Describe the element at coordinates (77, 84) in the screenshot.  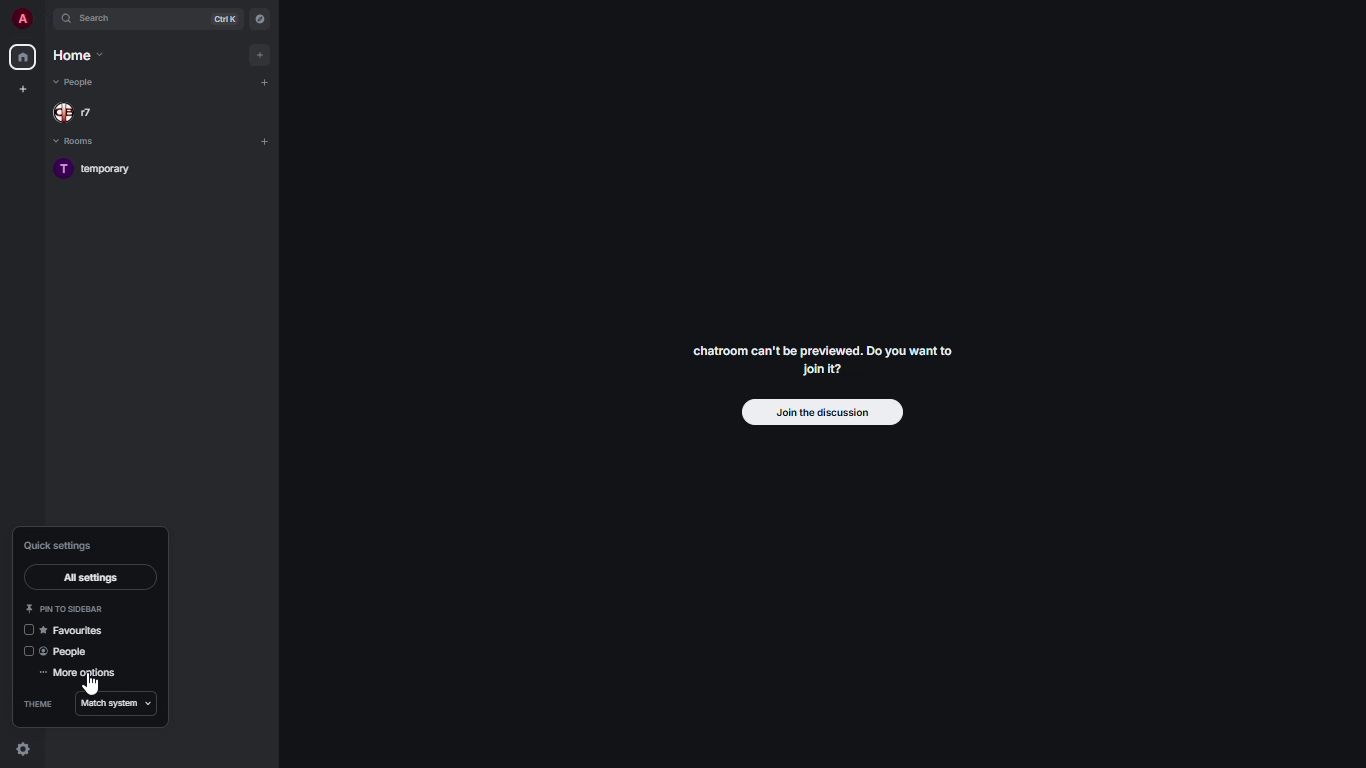
I see `people` at that location.